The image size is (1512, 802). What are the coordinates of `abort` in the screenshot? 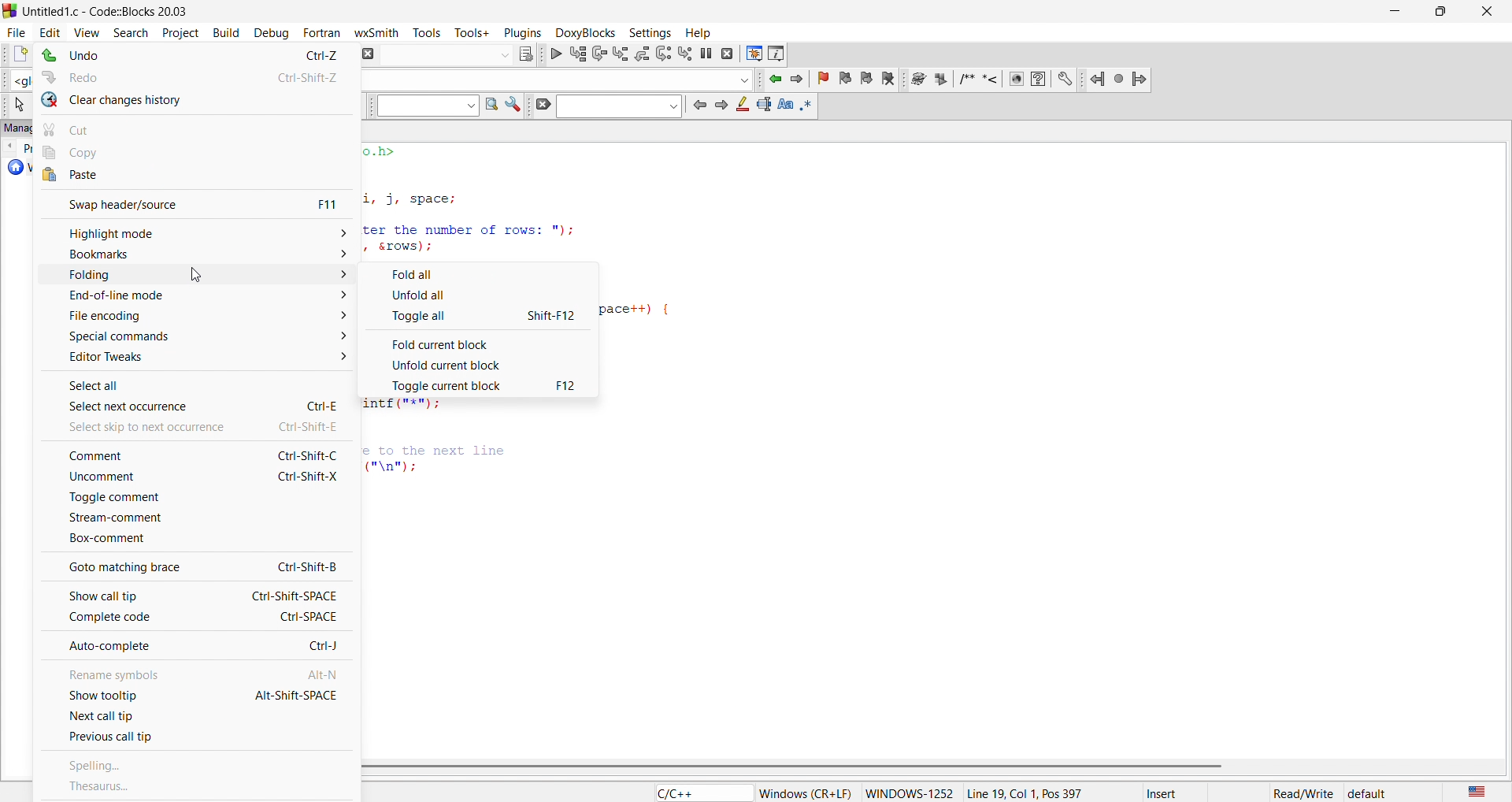 It's located at (366, 53).